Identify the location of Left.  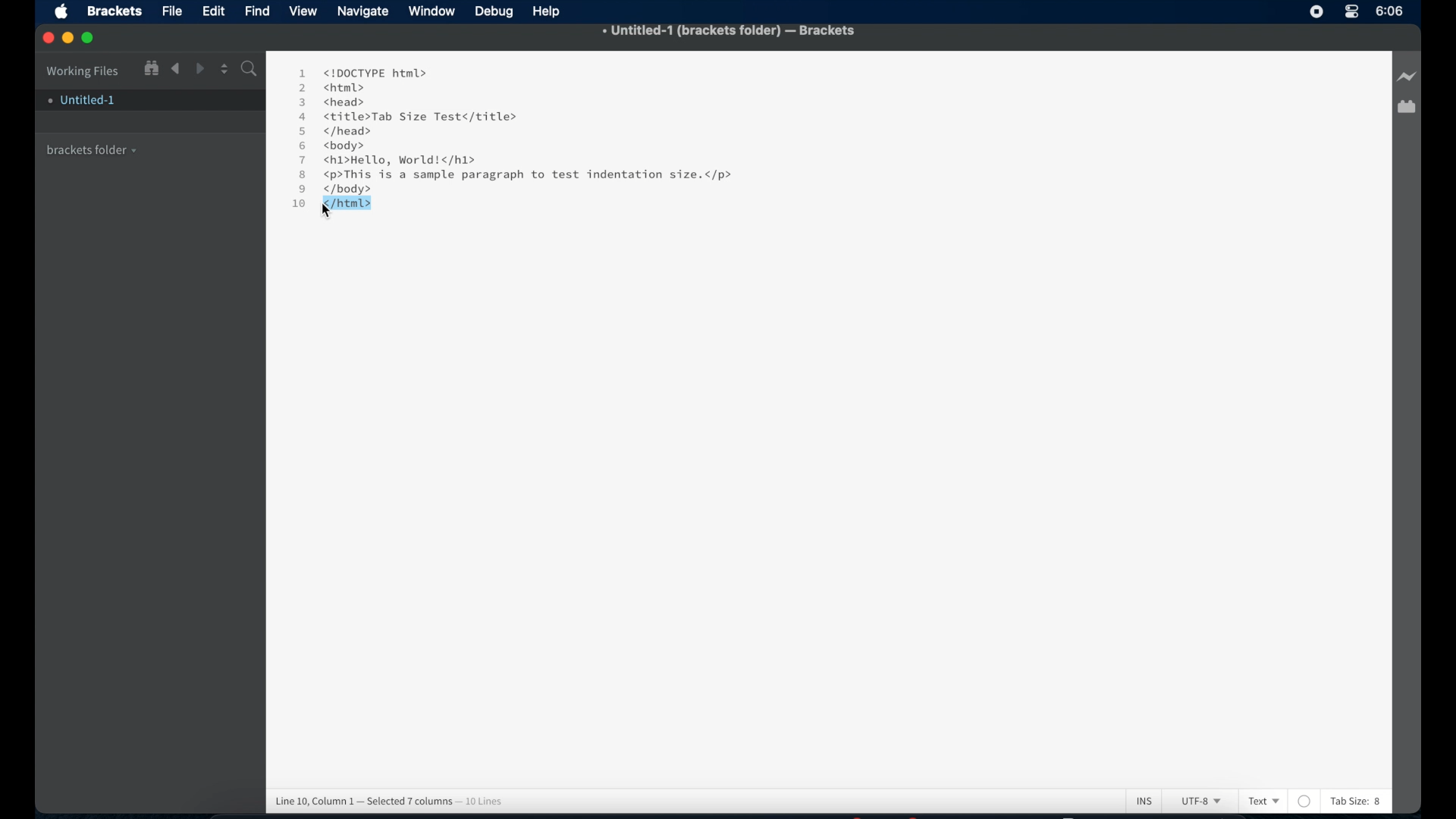
(175, 69).